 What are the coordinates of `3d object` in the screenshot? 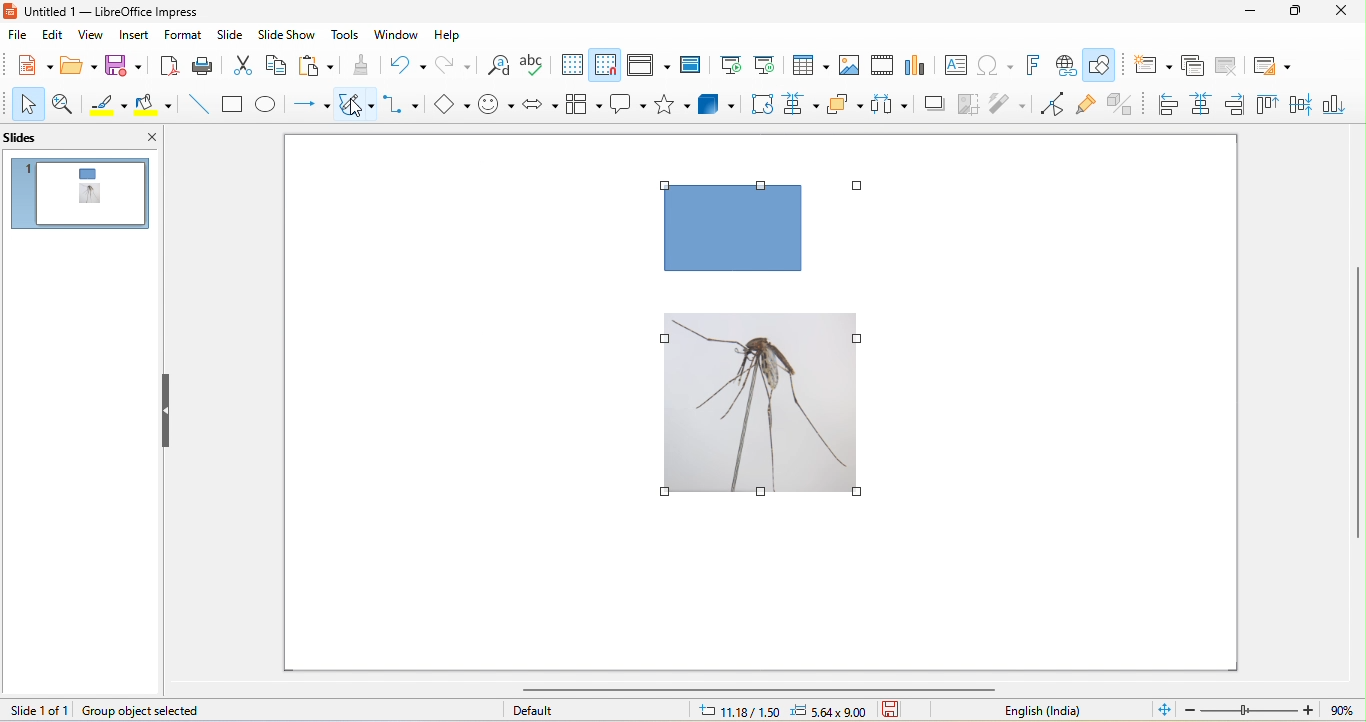 It's located at (722, 104).